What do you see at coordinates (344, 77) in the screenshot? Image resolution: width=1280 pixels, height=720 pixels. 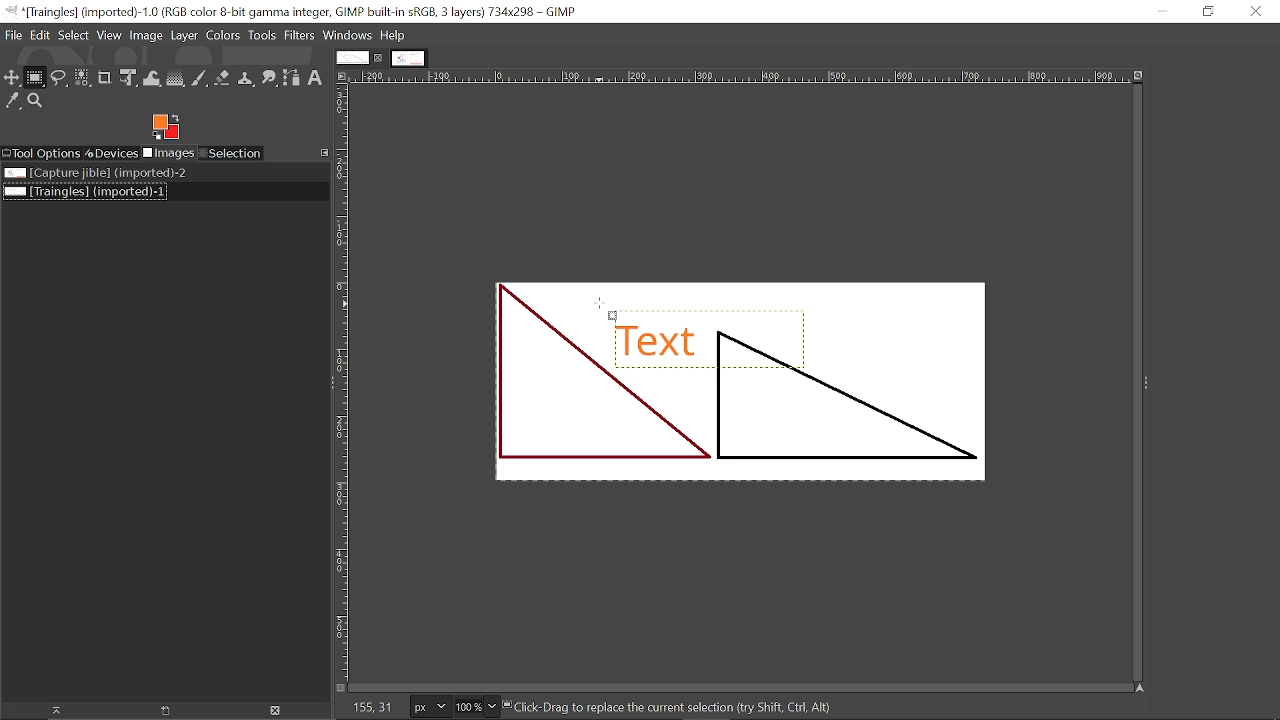 I see `Access this image menu` at bounding box center [344, 77].